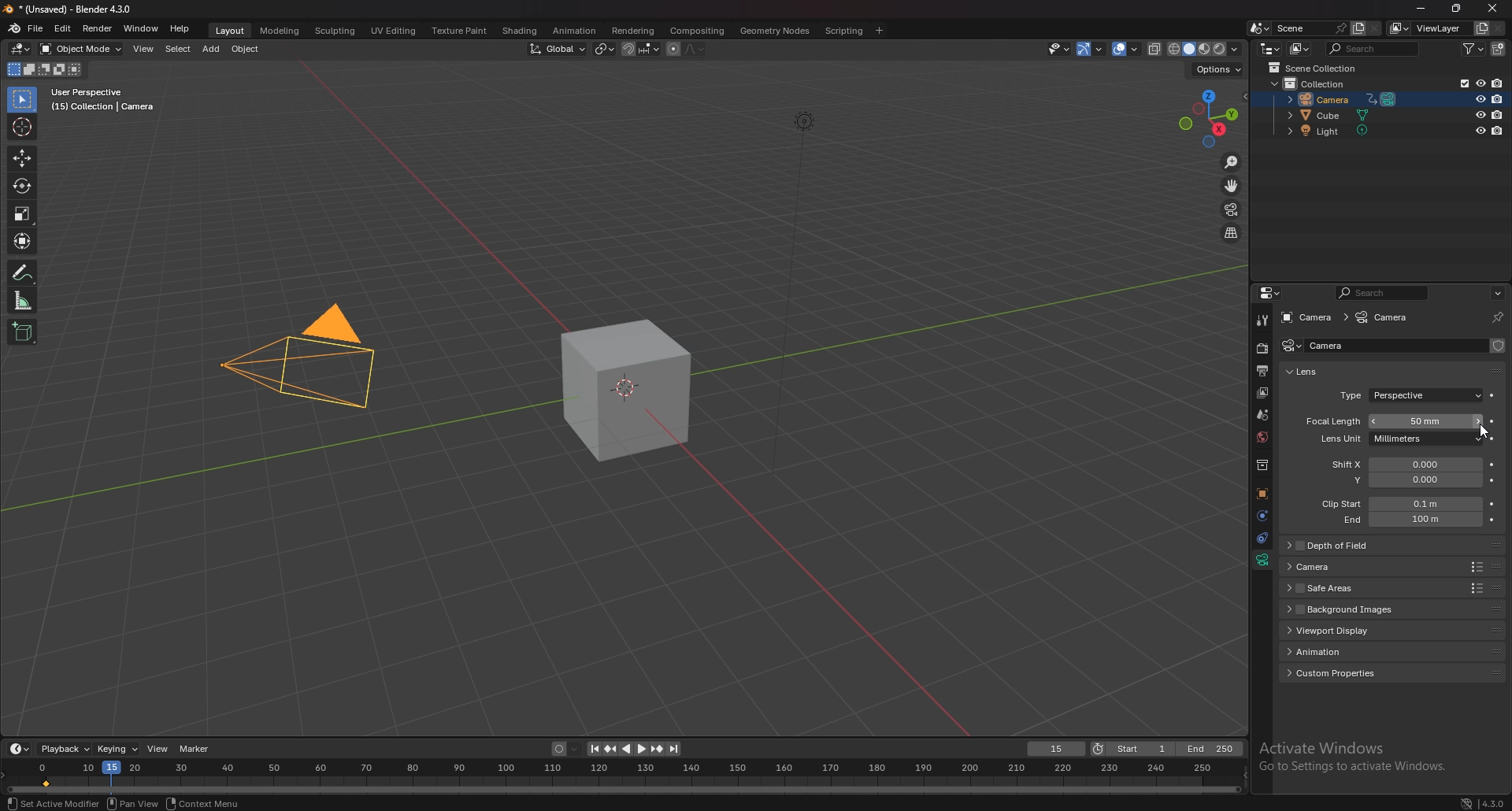  What do you see at coordinates (1308, 28) in the screenshot?
I see `scene` at bounding box center [1308, 28].